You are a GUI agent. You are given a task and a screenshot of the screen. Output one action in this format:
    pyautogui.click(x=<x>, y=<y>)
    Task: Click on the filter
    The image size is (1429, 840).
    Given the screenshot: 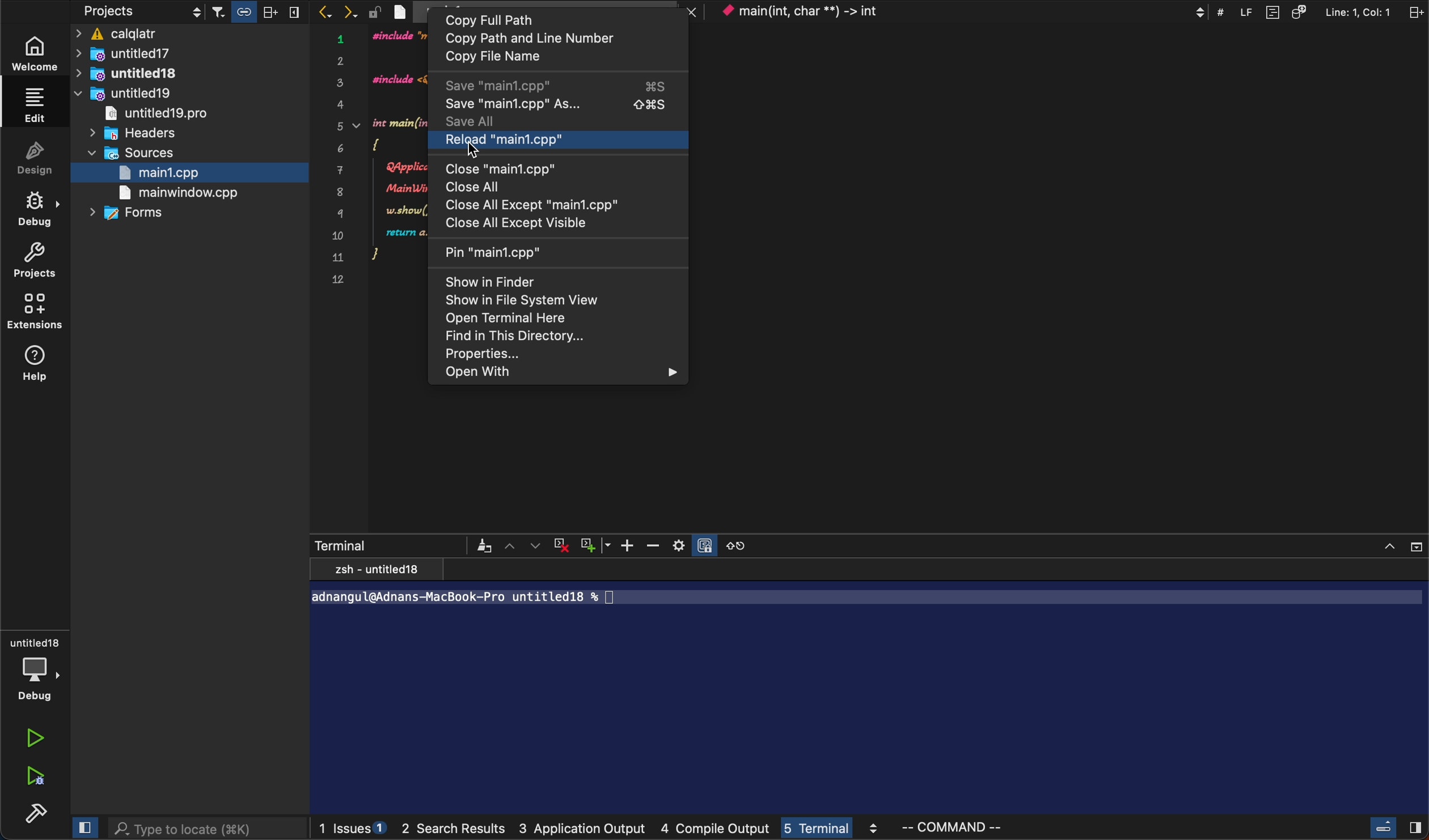 What is the action you would take?
    pyautogui.click(x=259, y=12)
    